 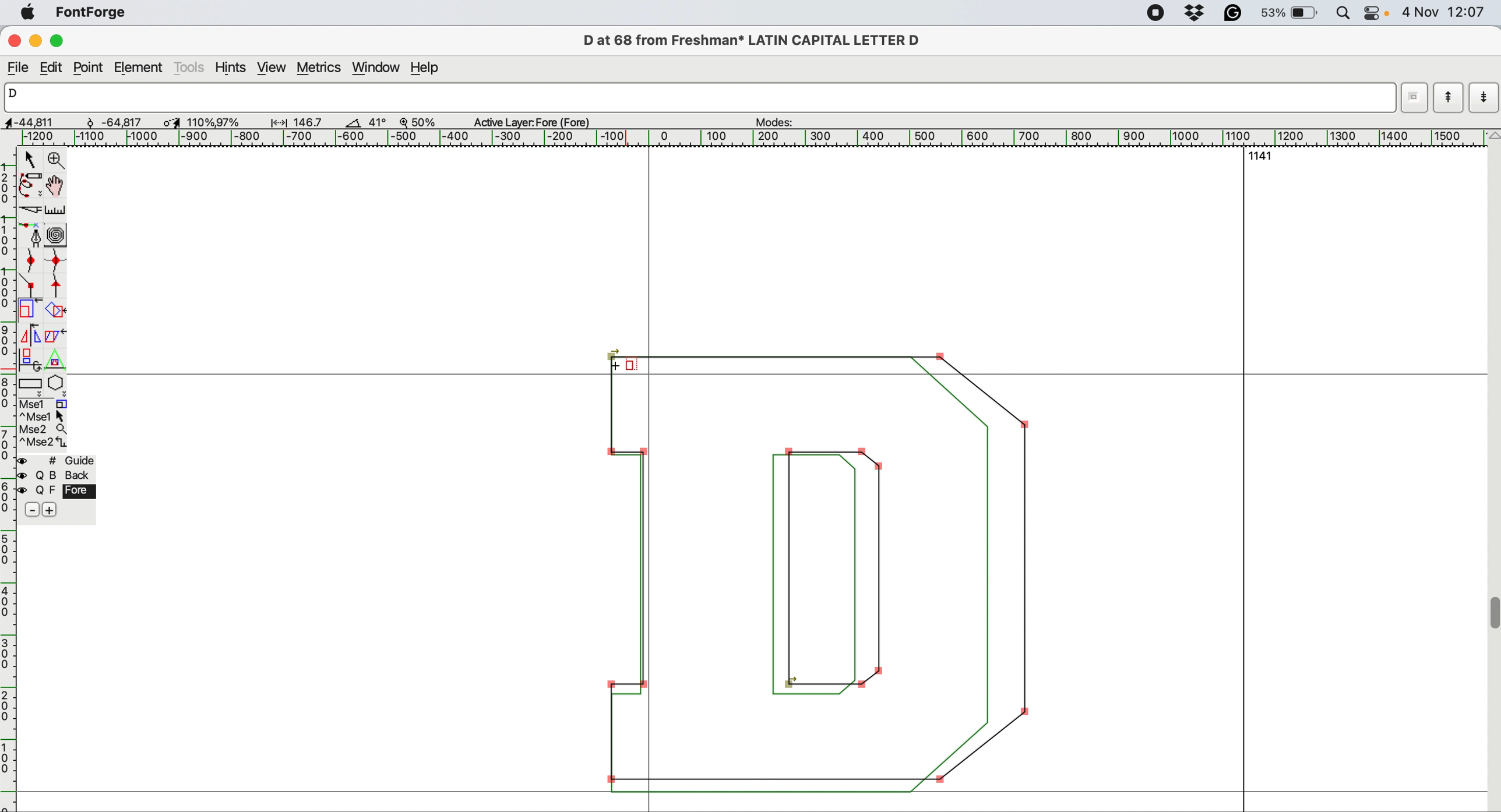 What do you see at coordinates (1444, 12) in the screenshot?
I see `4 Nov 12:07` at bounding box center [1444, 12].